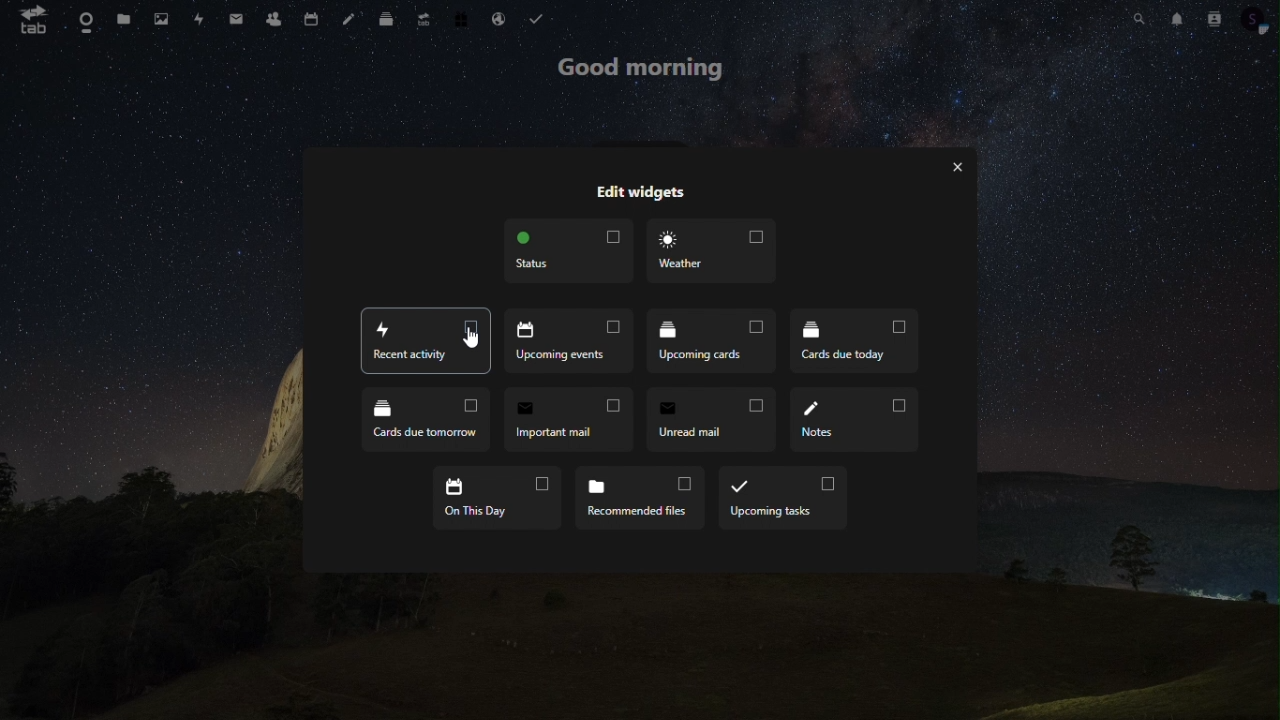 The width and height of the screenshot is (1280, 720). I want to click on upcoming tasks, so click(782, 500).